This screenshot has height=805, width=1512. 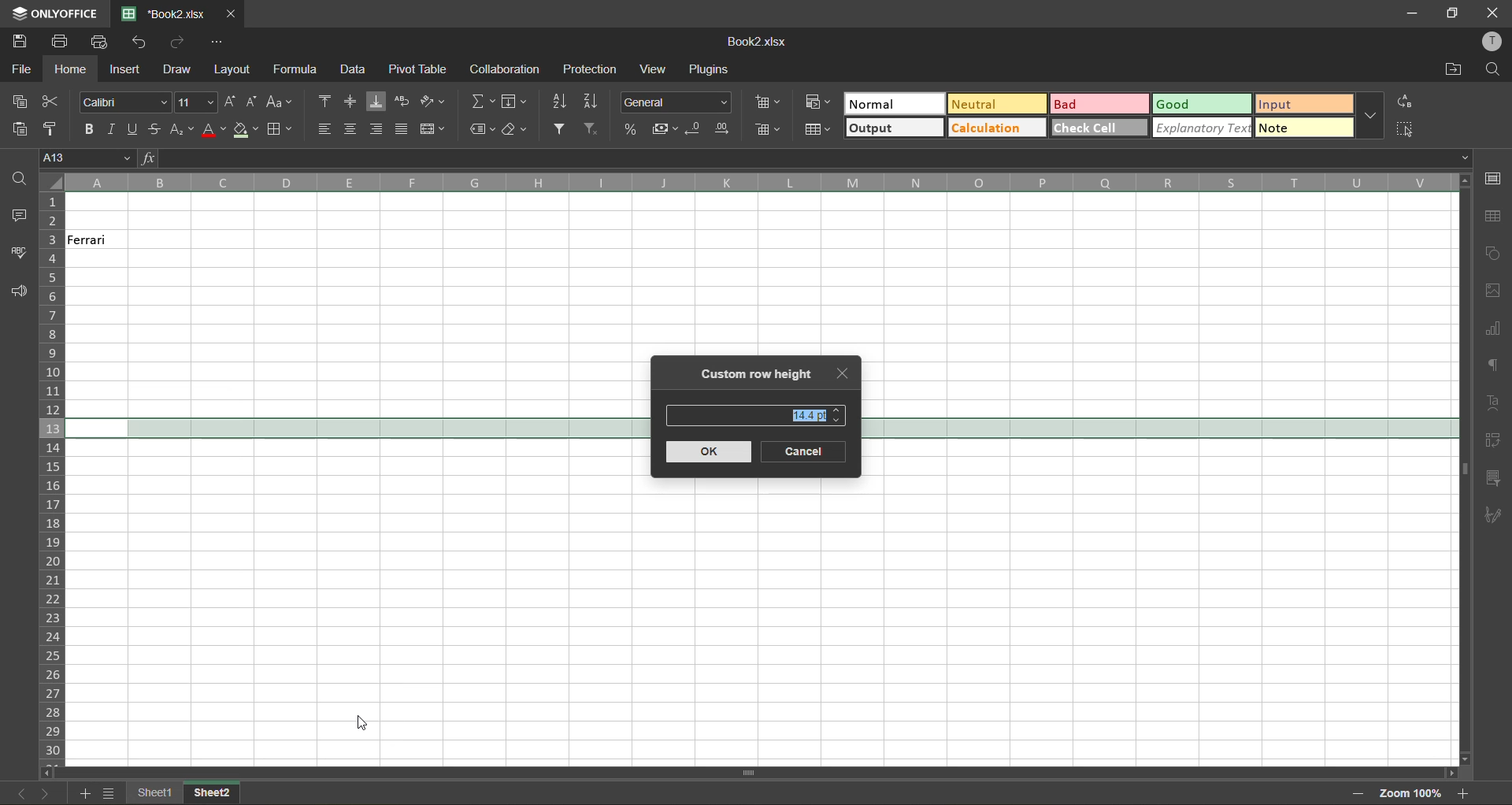 I want to click on zoom in, so click(x=1466, y=795).